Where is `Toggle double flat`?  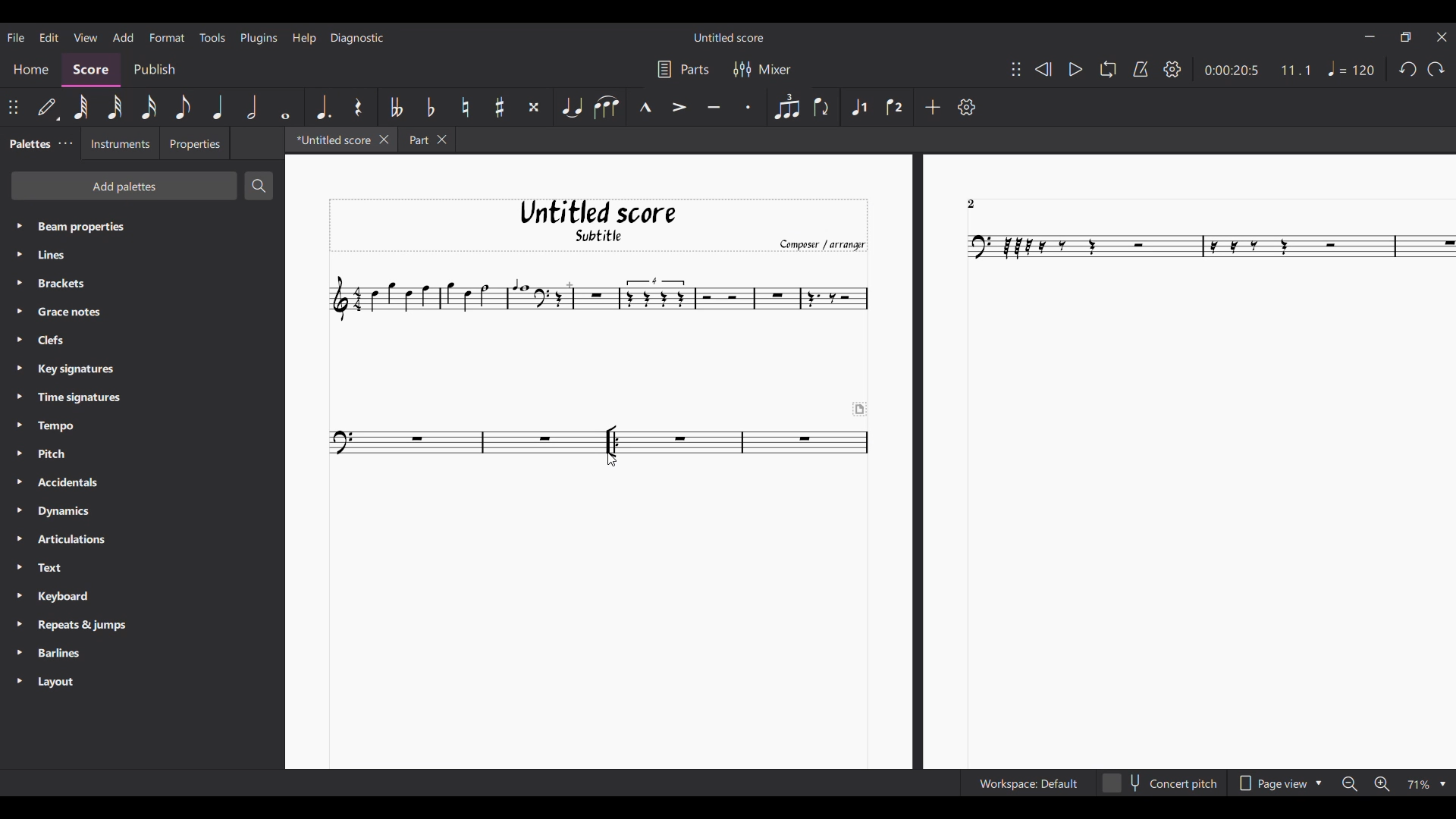
Toggle double flat is located at coordinates (394, 107).